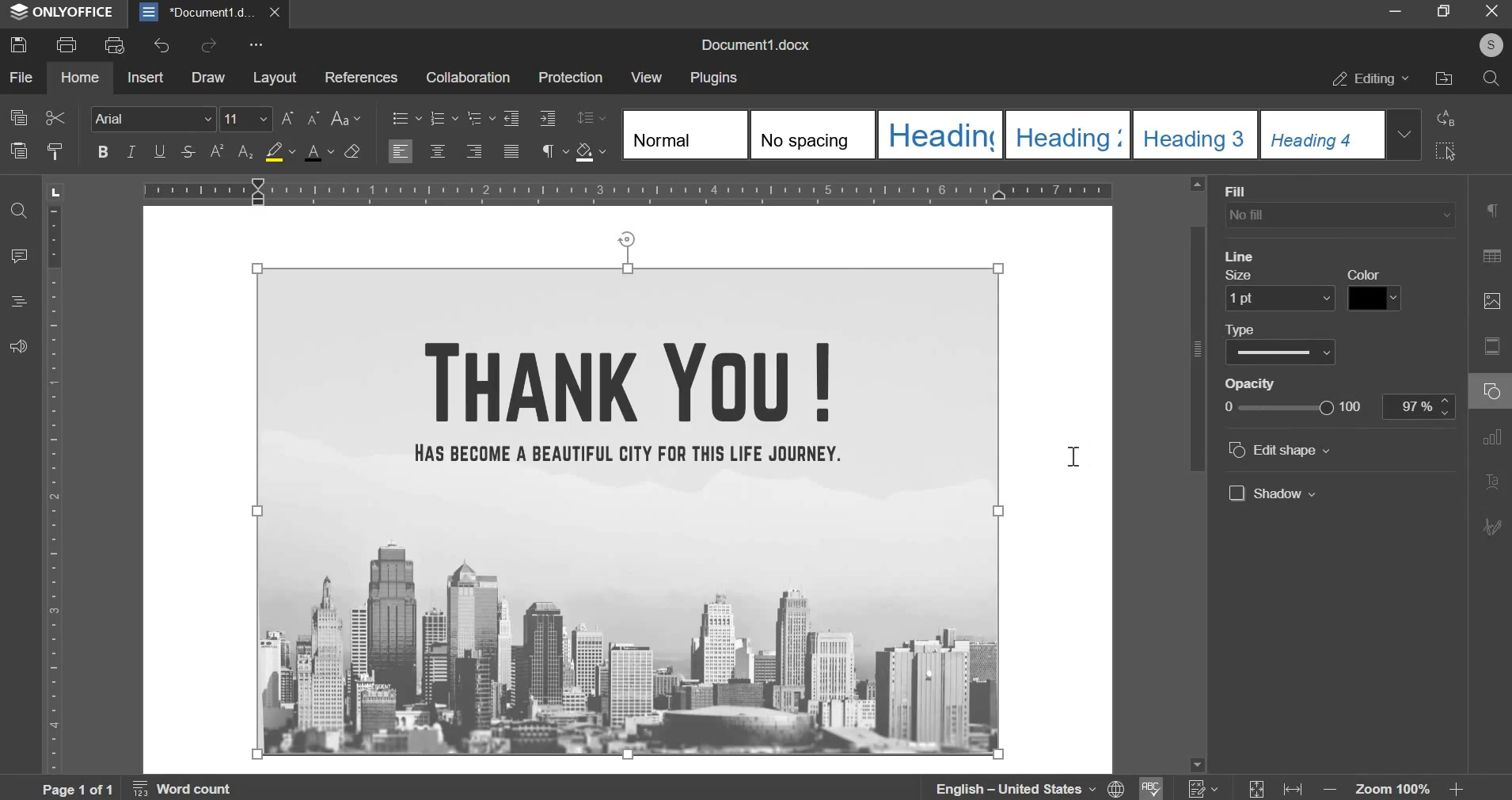  Describe the element at coordinates (1488, 211) in the screenshot. I see `Paragraph settings` at that location.